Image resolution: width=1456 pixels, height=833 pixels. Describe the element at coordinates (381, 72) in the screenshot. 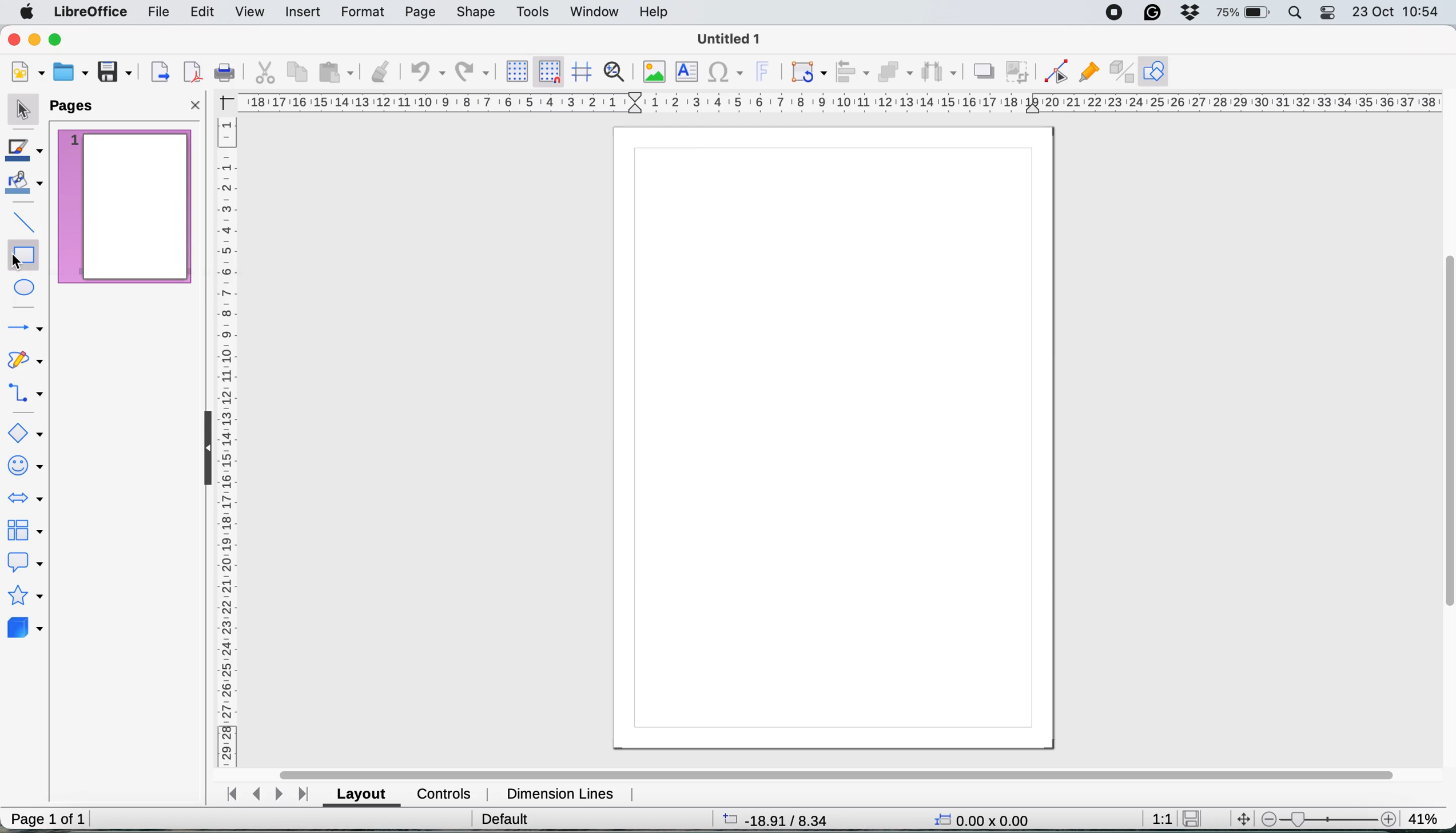

I see `clone formatting` at that location.